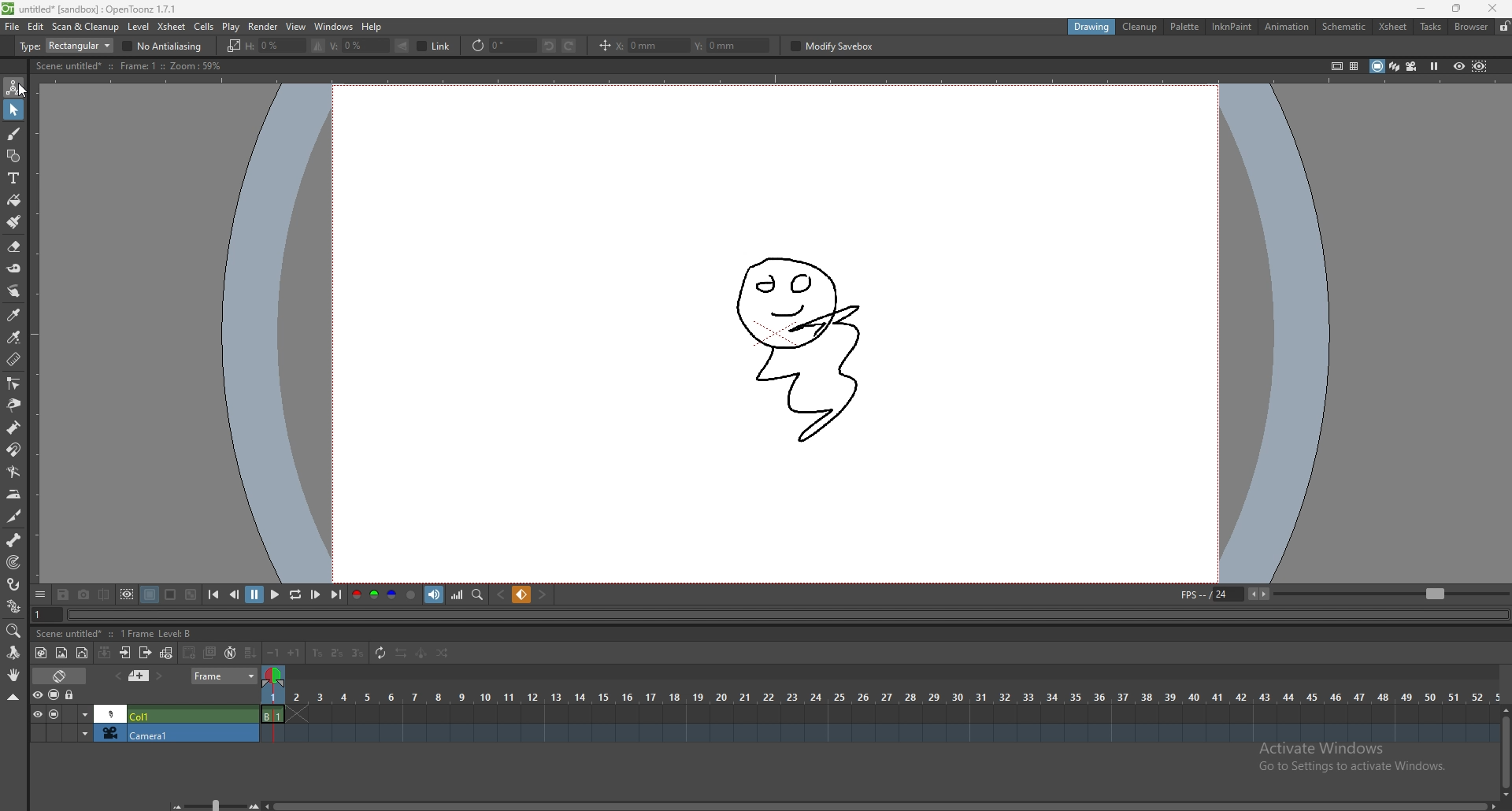 This screenshot has height=811, width=1512. Describe the element at coordinates (117, 676) in the screenshot. I see `previous memo` at that location.